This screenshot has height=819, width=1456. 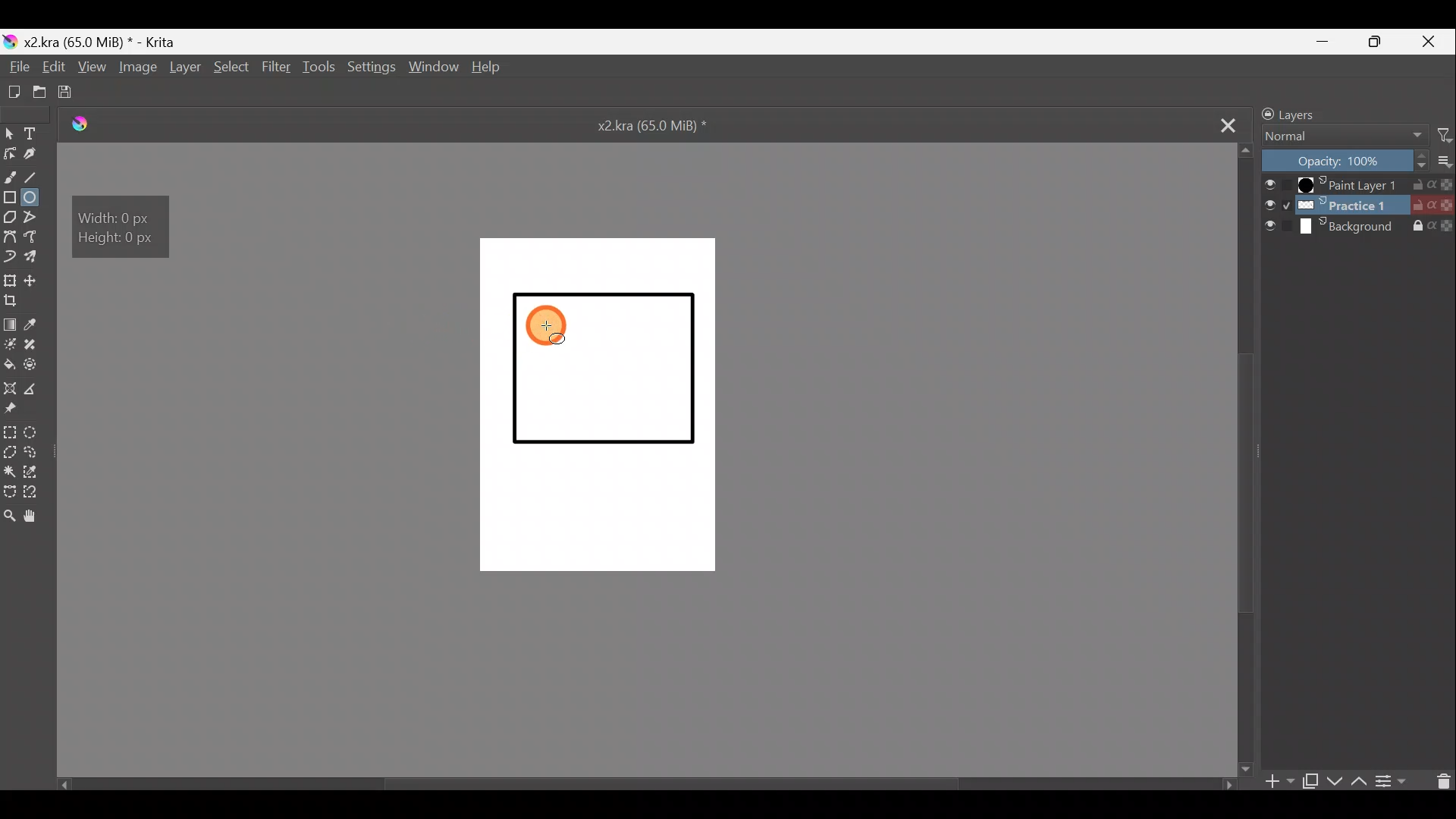 I want to click on Magnetic curve selection tool, so click(x=37, y=493).